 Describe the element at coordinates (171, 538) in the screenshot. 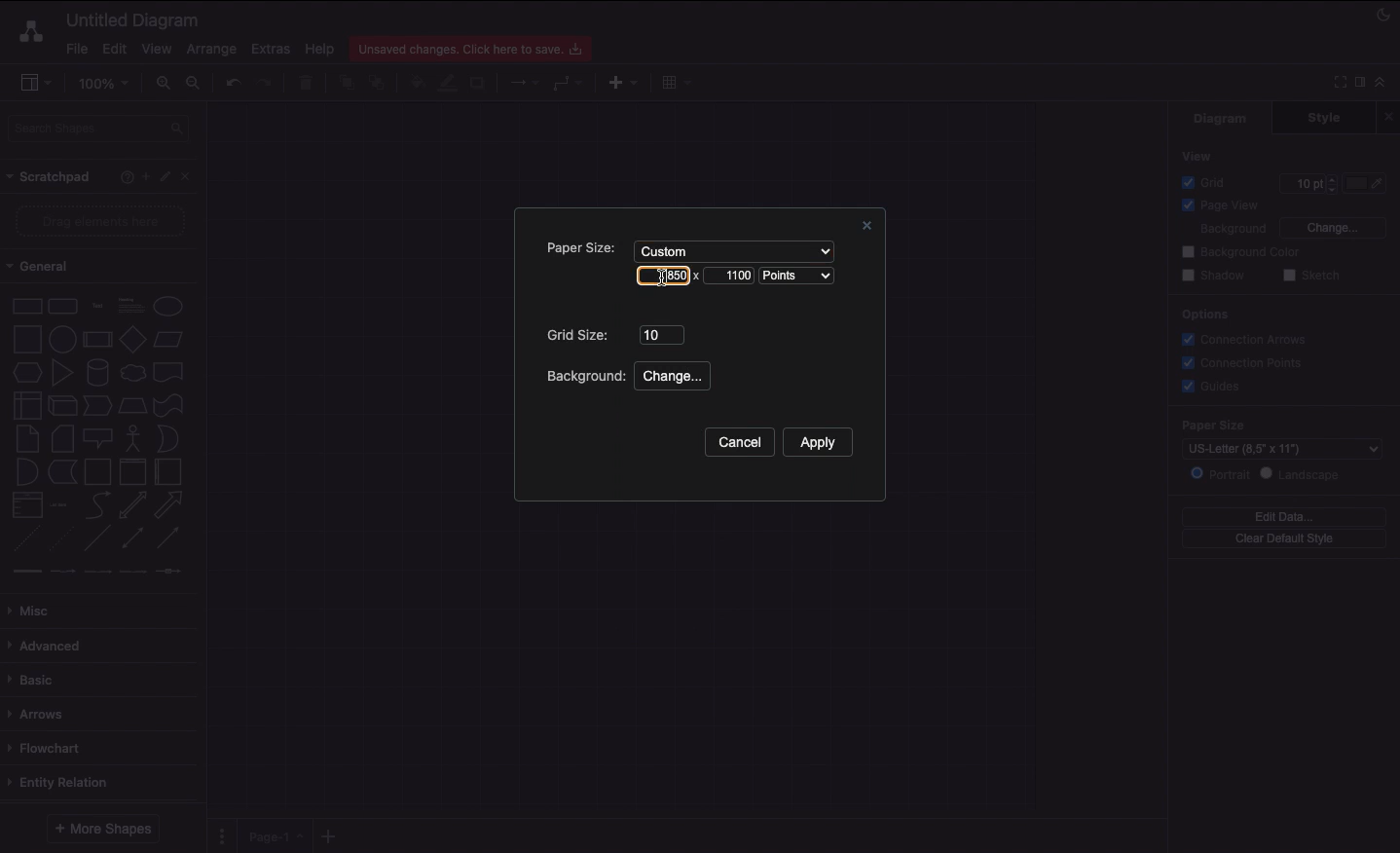

I see `Directional connector` at that location.